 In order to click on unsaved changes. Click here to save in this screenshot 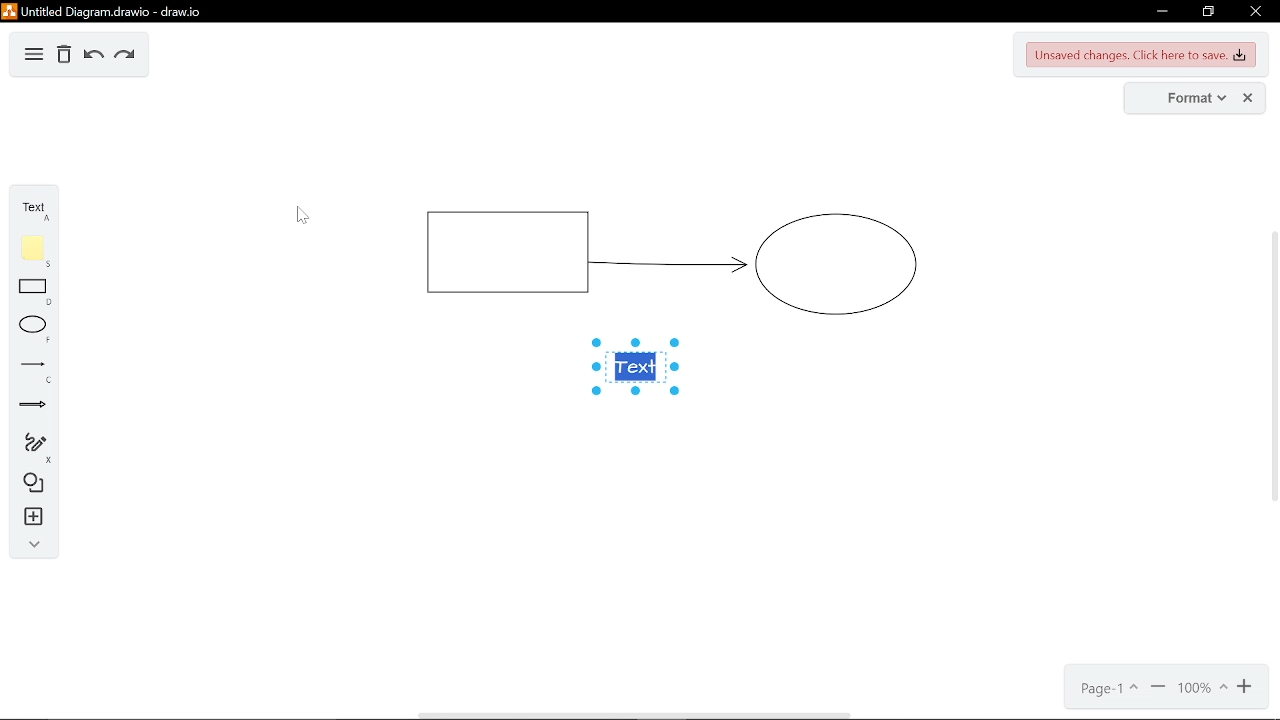, I will do `click(1142, 55)`.